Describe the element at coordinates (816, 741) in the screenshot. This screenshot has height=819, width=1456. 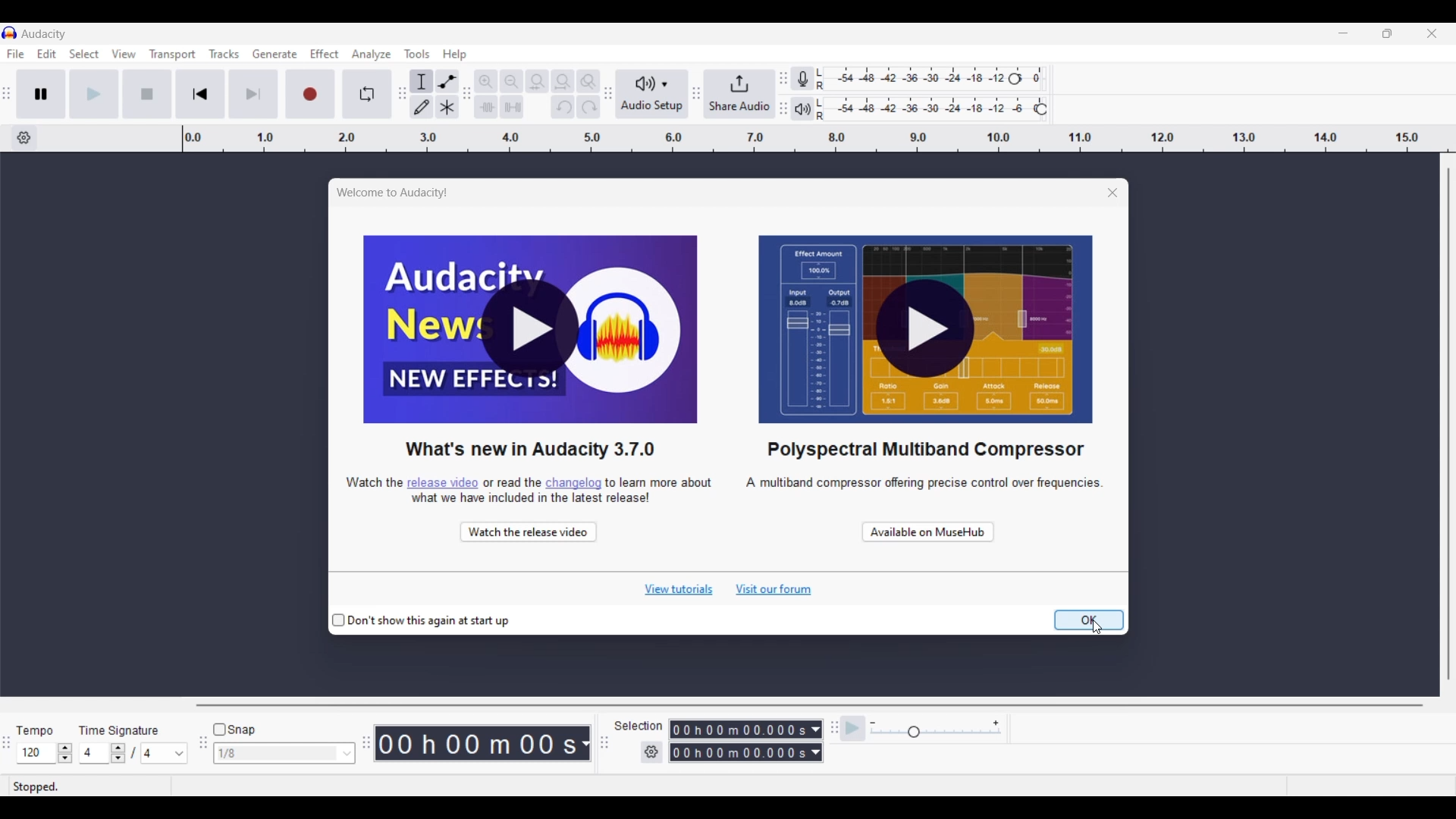
I see `Measurement for selection duration` at that location.